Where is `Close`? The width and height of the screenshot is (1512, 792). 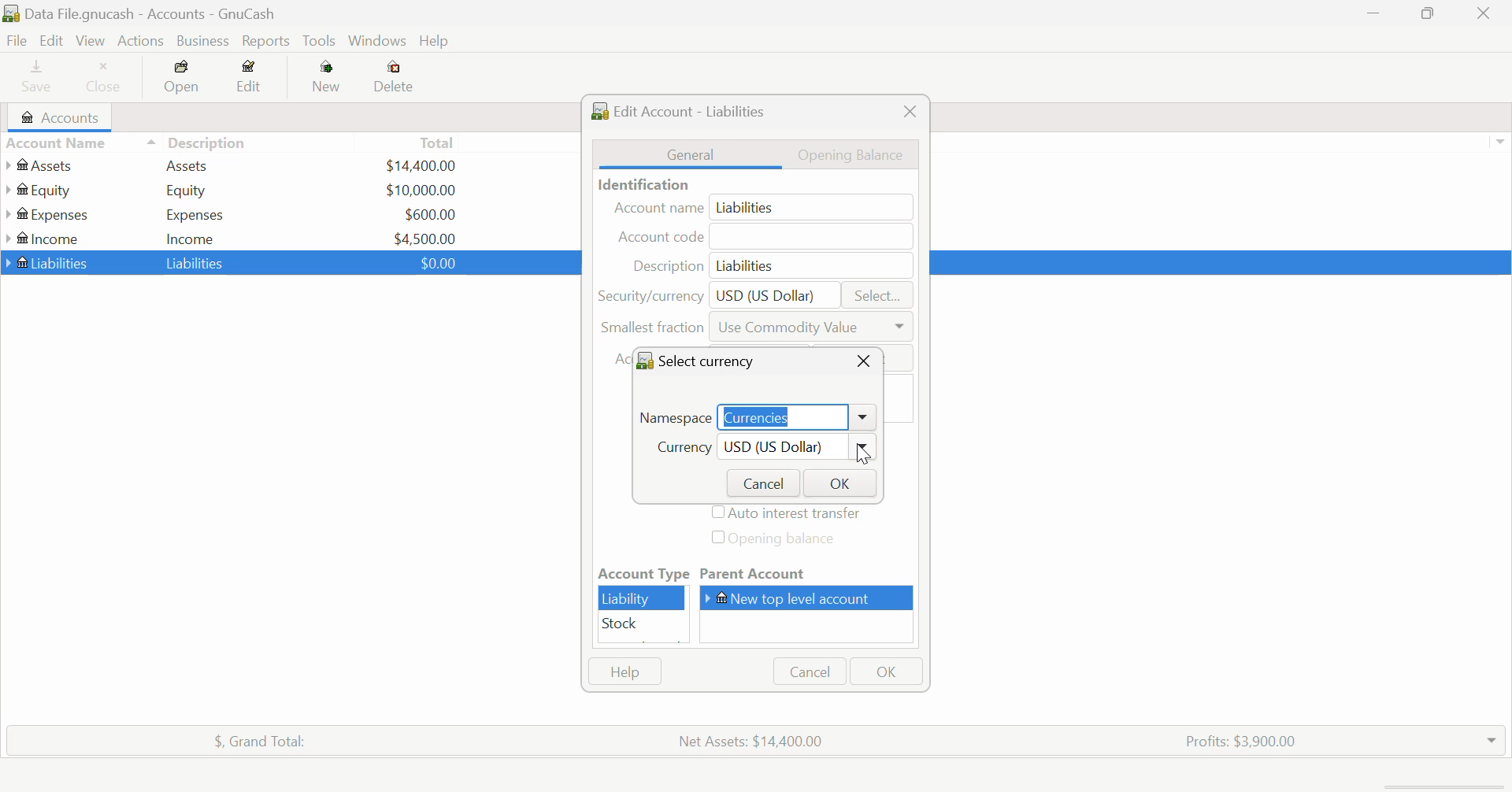
Close is located at coordinates (105, 79).